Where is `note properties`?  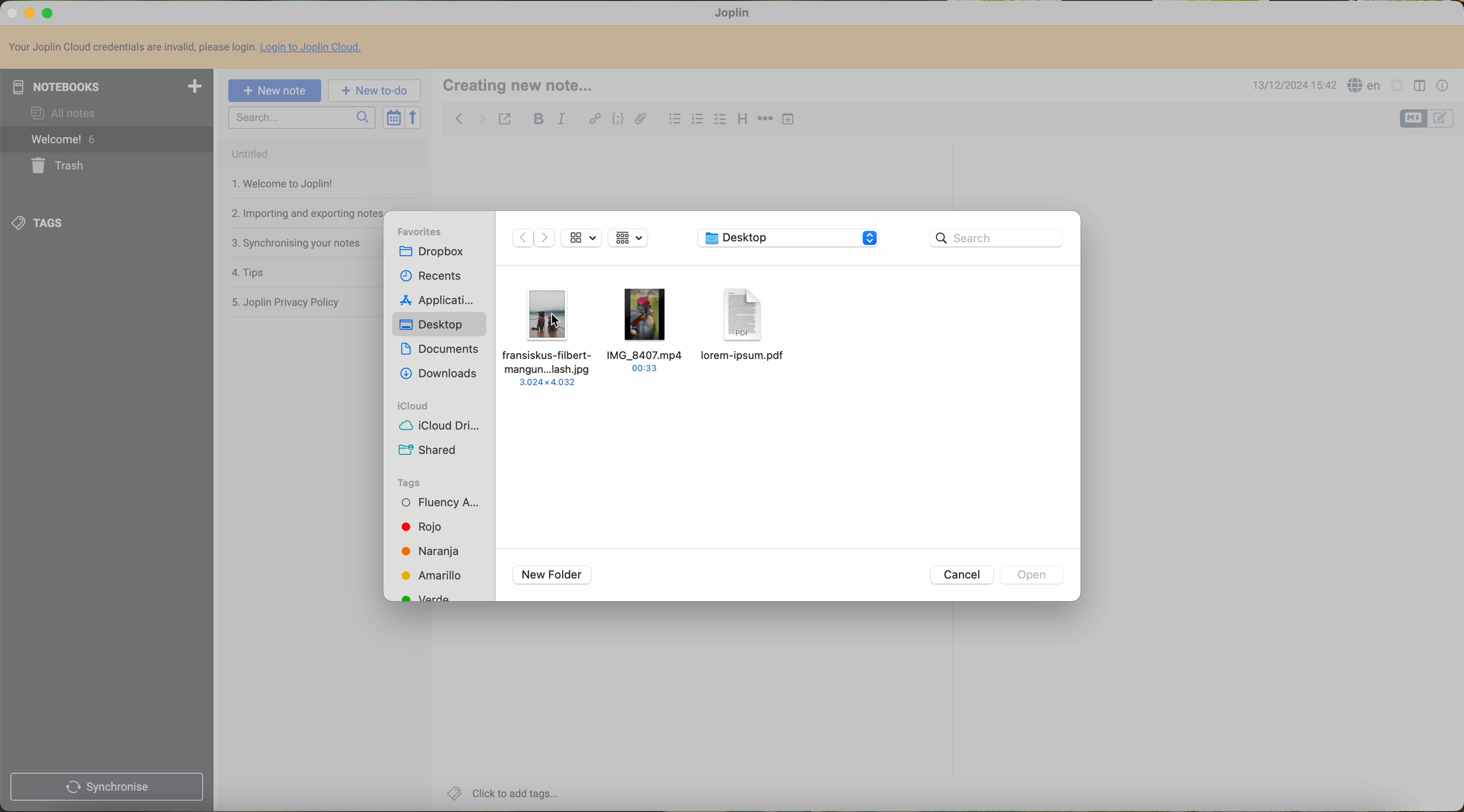 note properties is located at coordinates (1443, 88).